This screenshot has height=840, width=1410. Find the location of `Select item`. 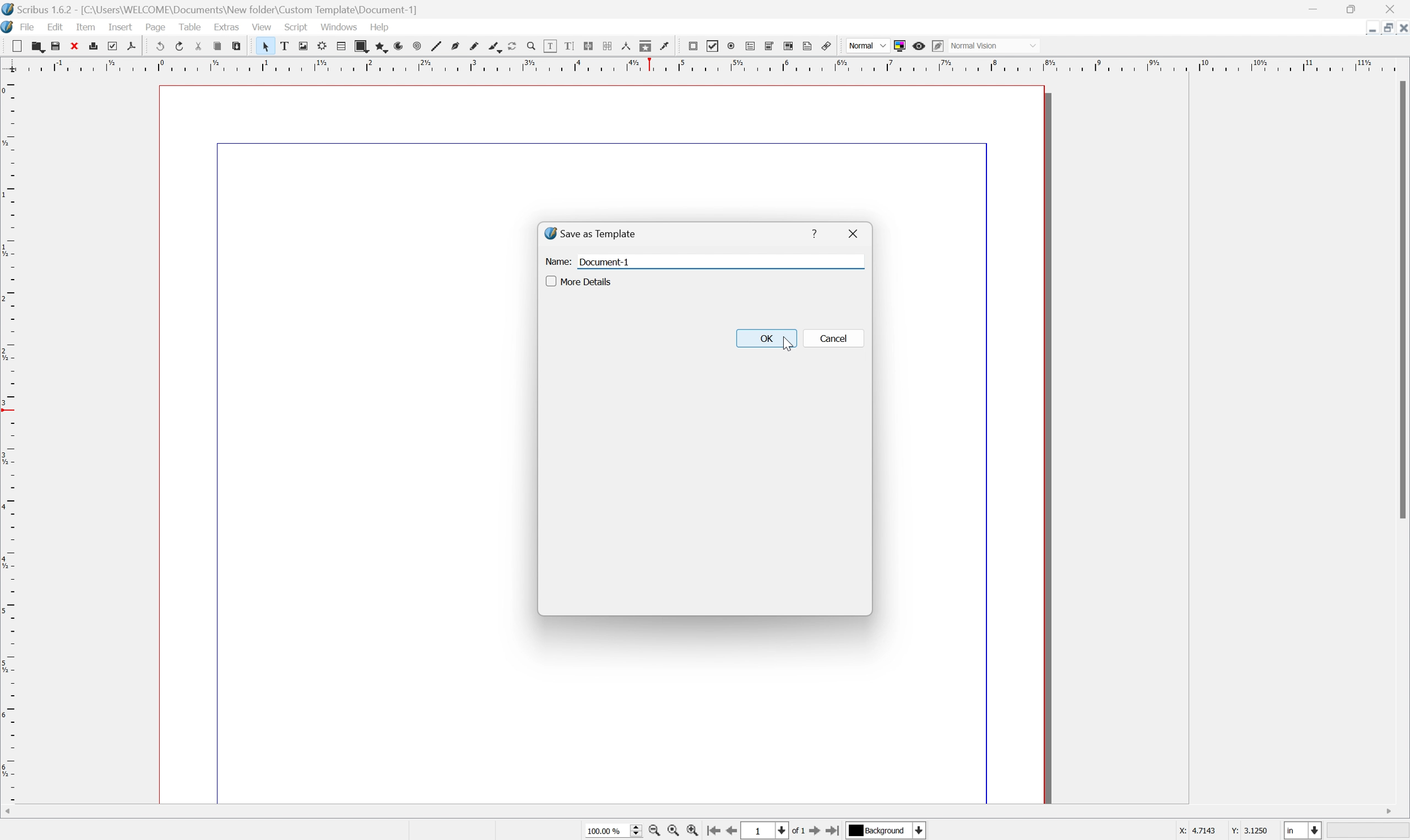

Select item is located at coordinates (267, 46).